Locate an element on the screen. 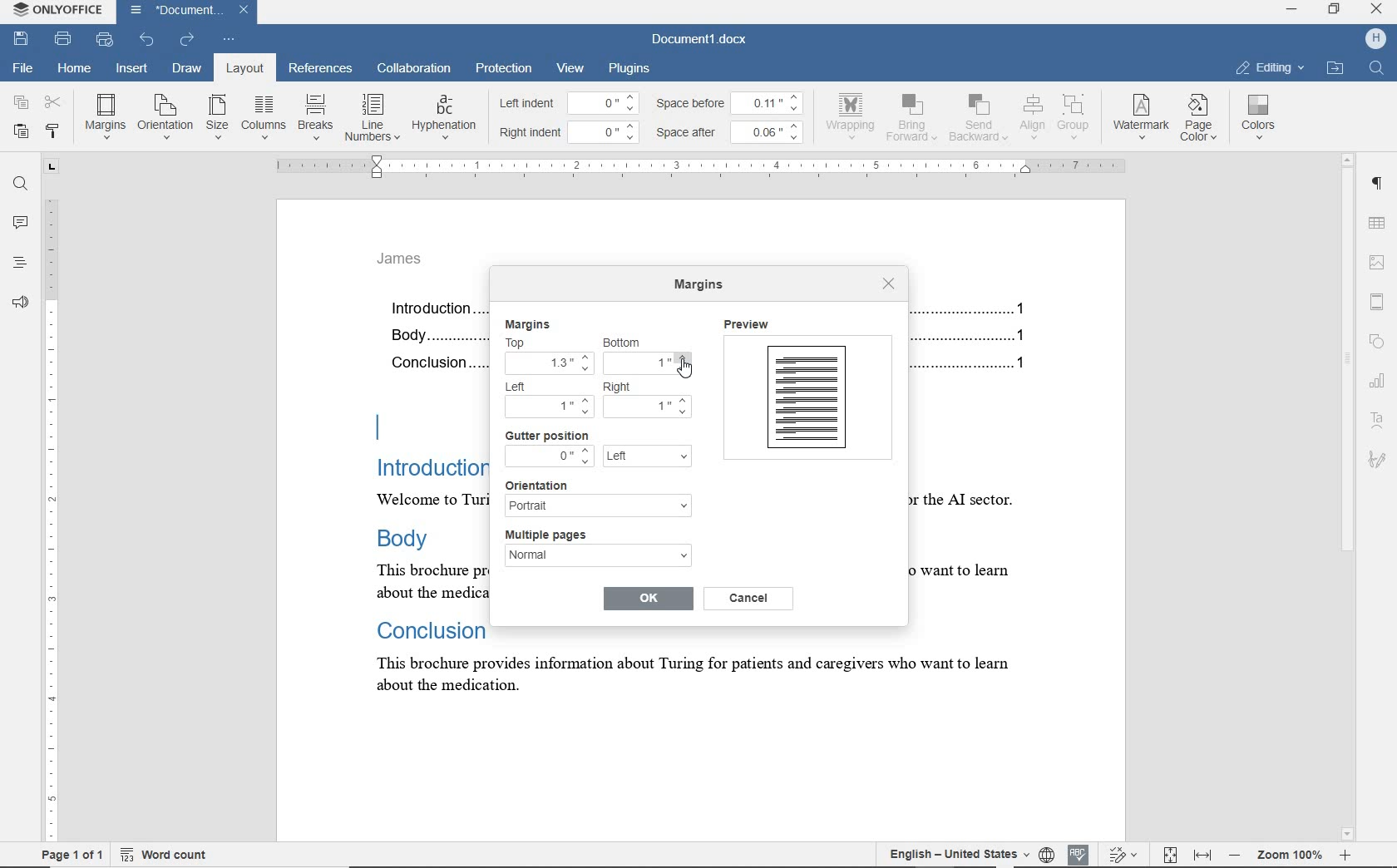 The image size is (1397, 868). 0.11 is located at coordinates (772, 101).